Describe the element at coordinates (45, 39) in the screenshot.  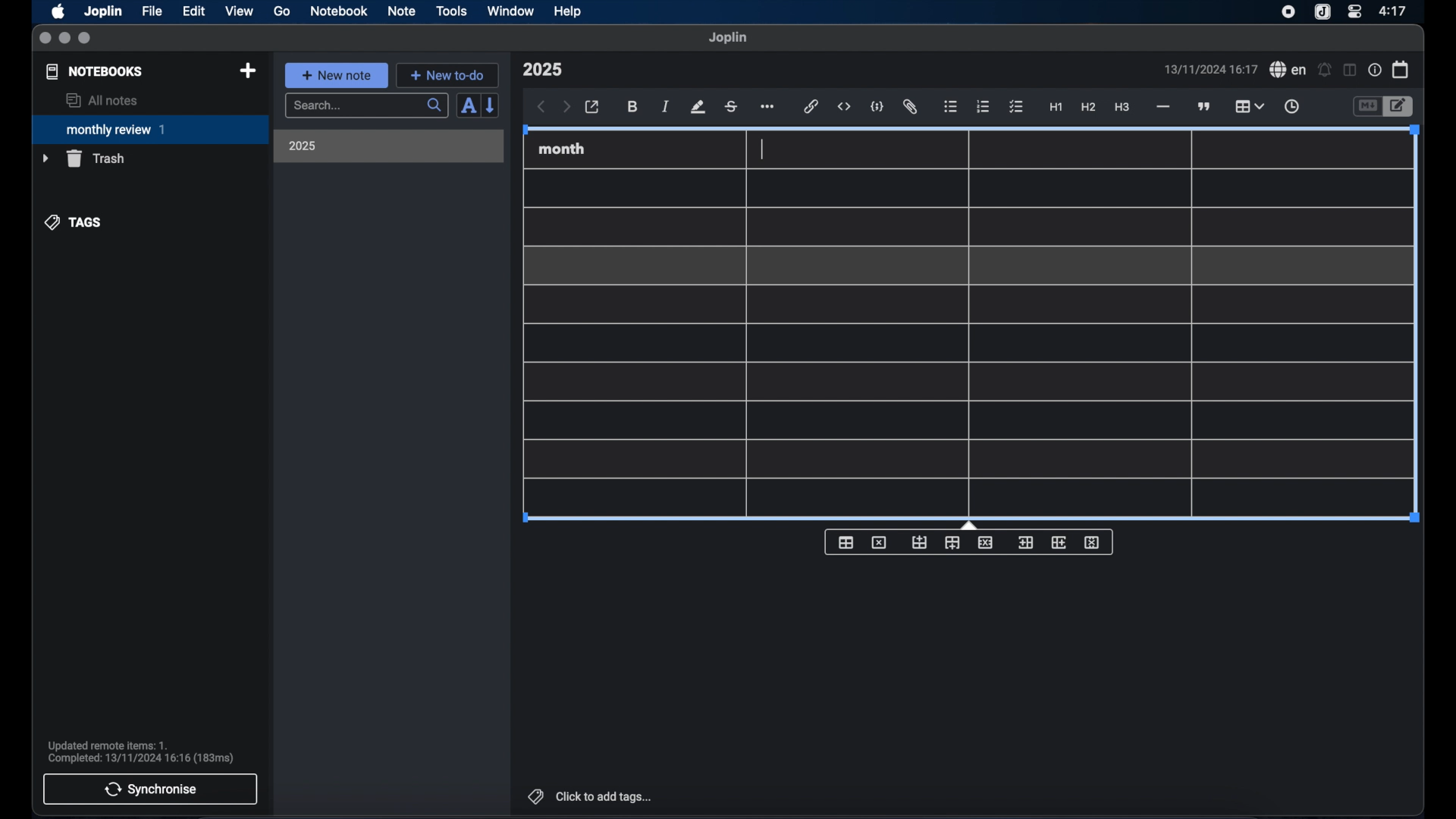
I see `close` at that location.